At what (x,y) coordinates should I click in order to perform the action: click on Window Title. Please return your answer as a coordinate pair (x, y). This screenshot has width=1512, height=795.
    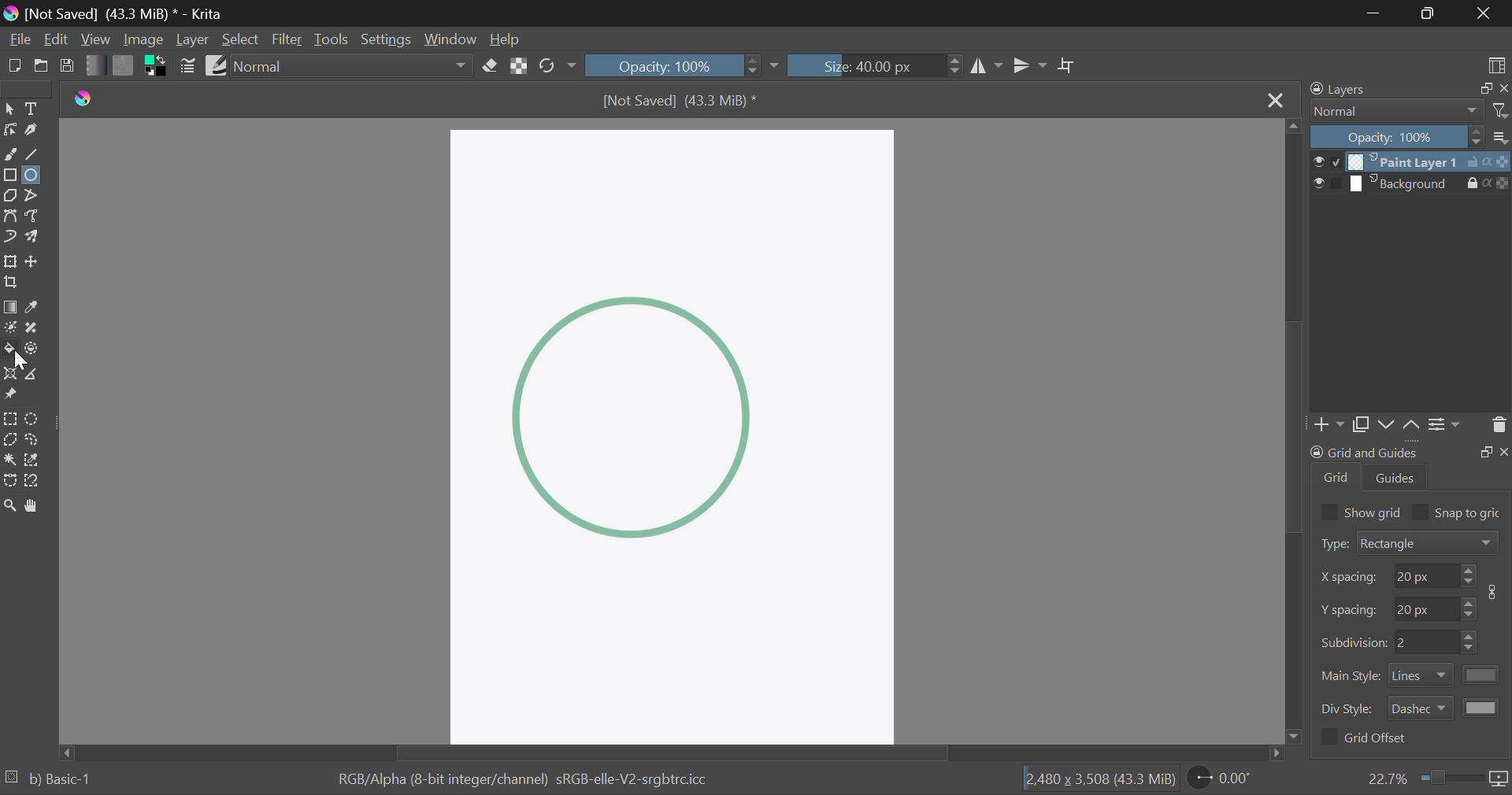
    Looking at the image, I should click on (115, 13).